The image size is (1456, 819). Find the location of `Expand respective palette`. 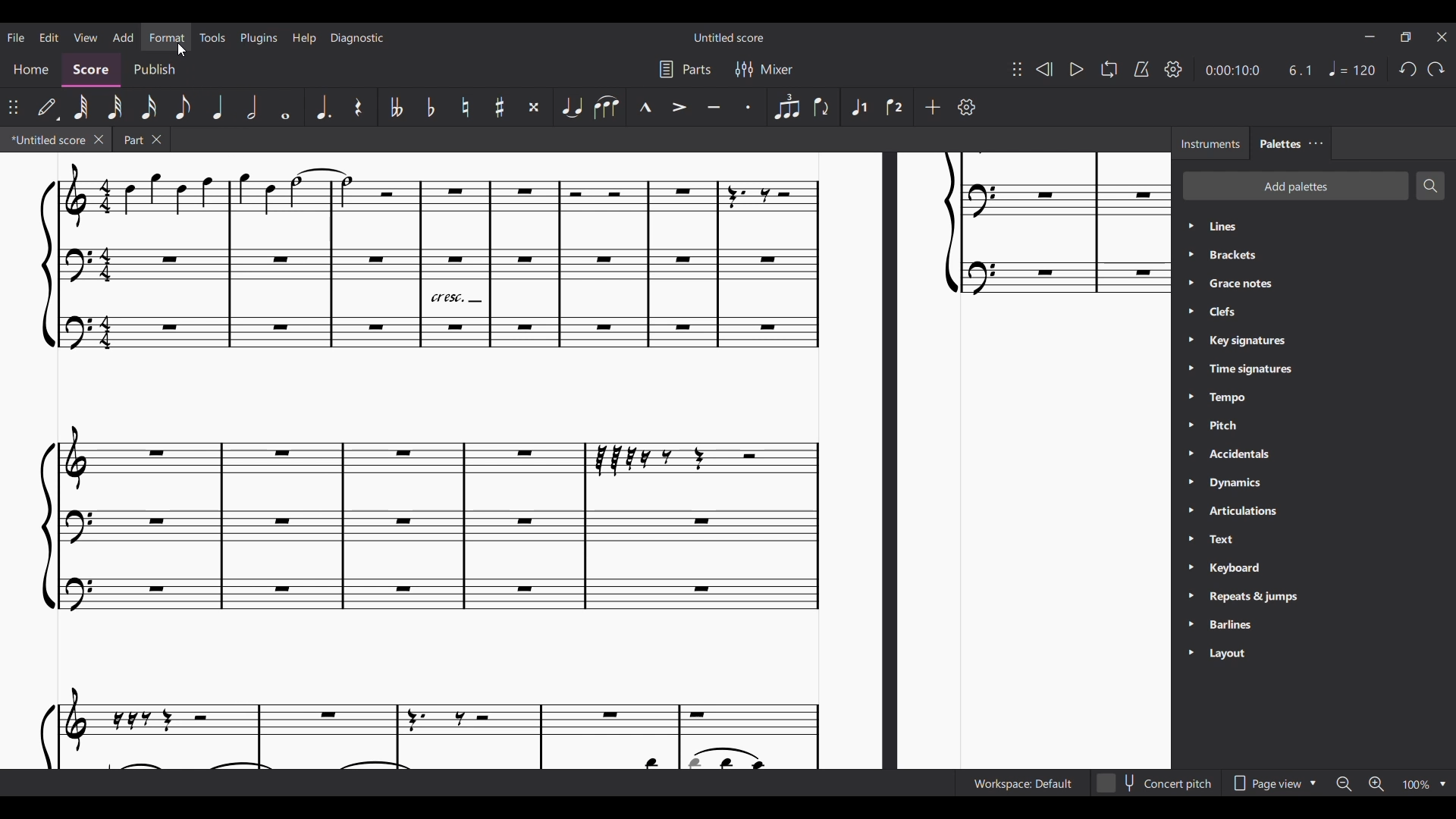

Expand respective palette is located at coordinates (1190, 441).